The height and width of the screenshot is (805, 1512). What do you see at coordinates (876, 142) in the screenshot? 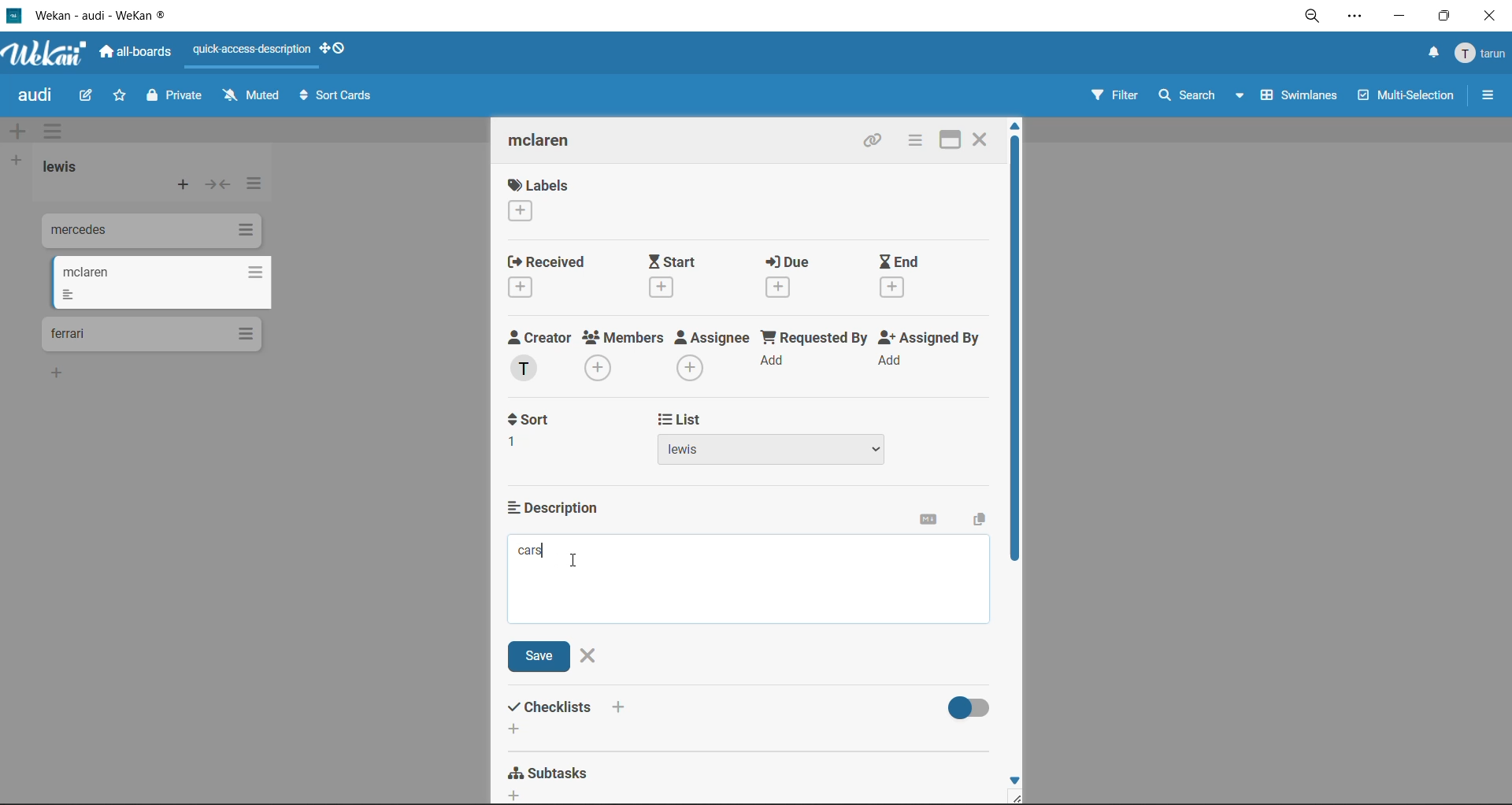
I see `copy link` at bounding box center [876, 142].